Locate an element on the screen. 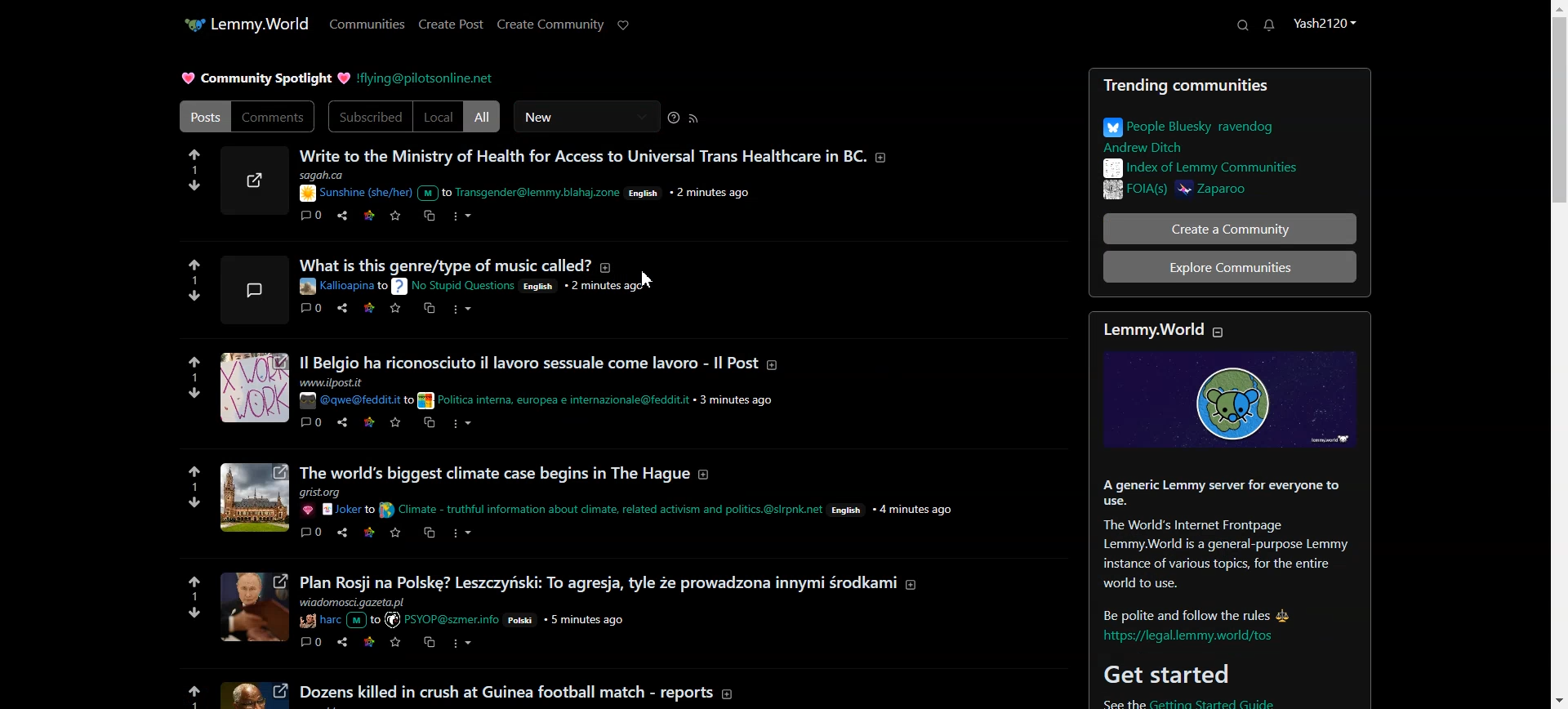 The width and height of the screenshot is (1568, 709). text is located at coordinates (357, 399).